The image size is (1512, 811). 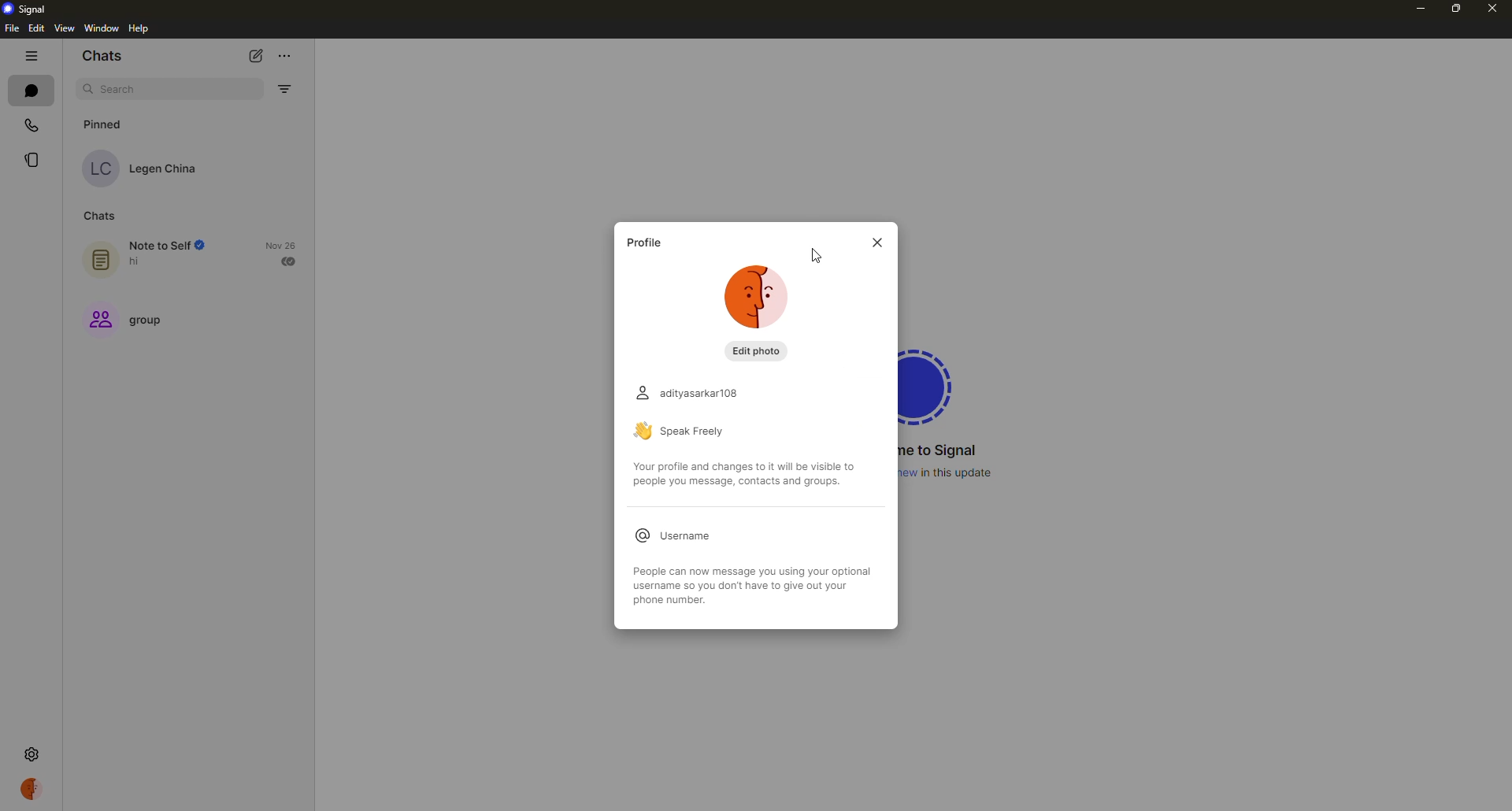 I want to click on date, so click(x=280, y=245).